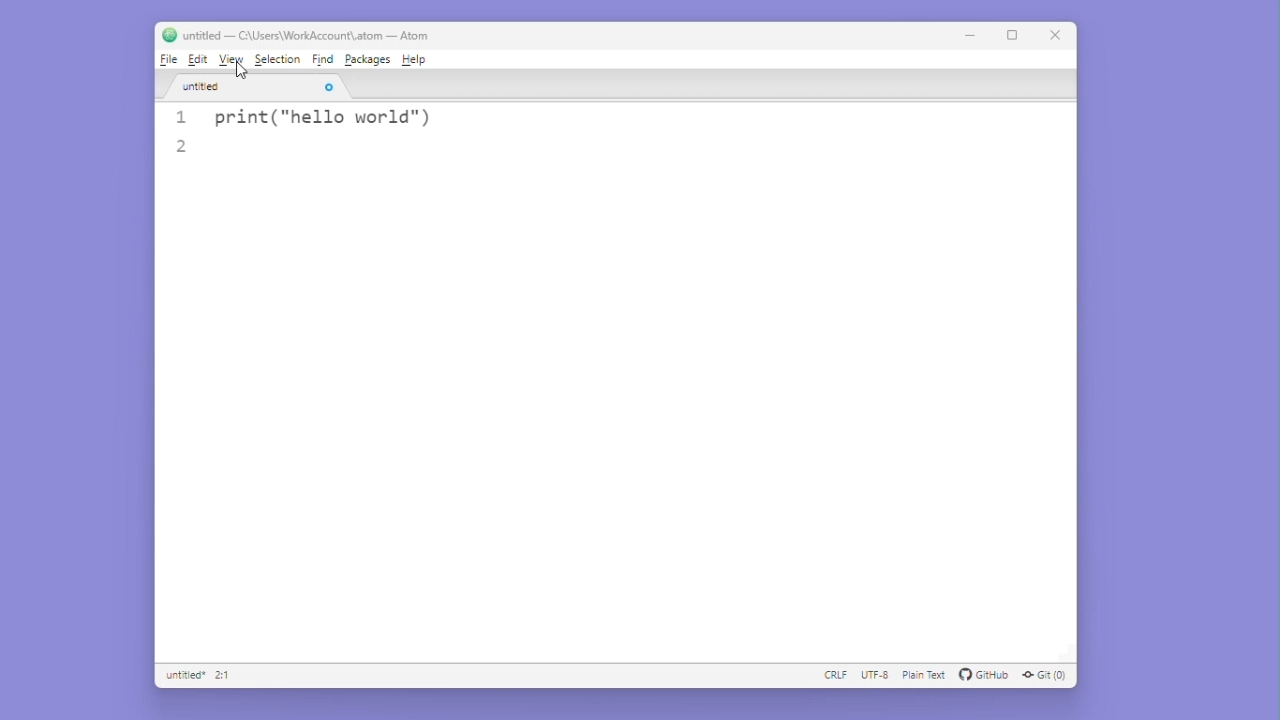  Describe the element at coordinates (922, 676) in the screenshot. I see `plain text` at that location.